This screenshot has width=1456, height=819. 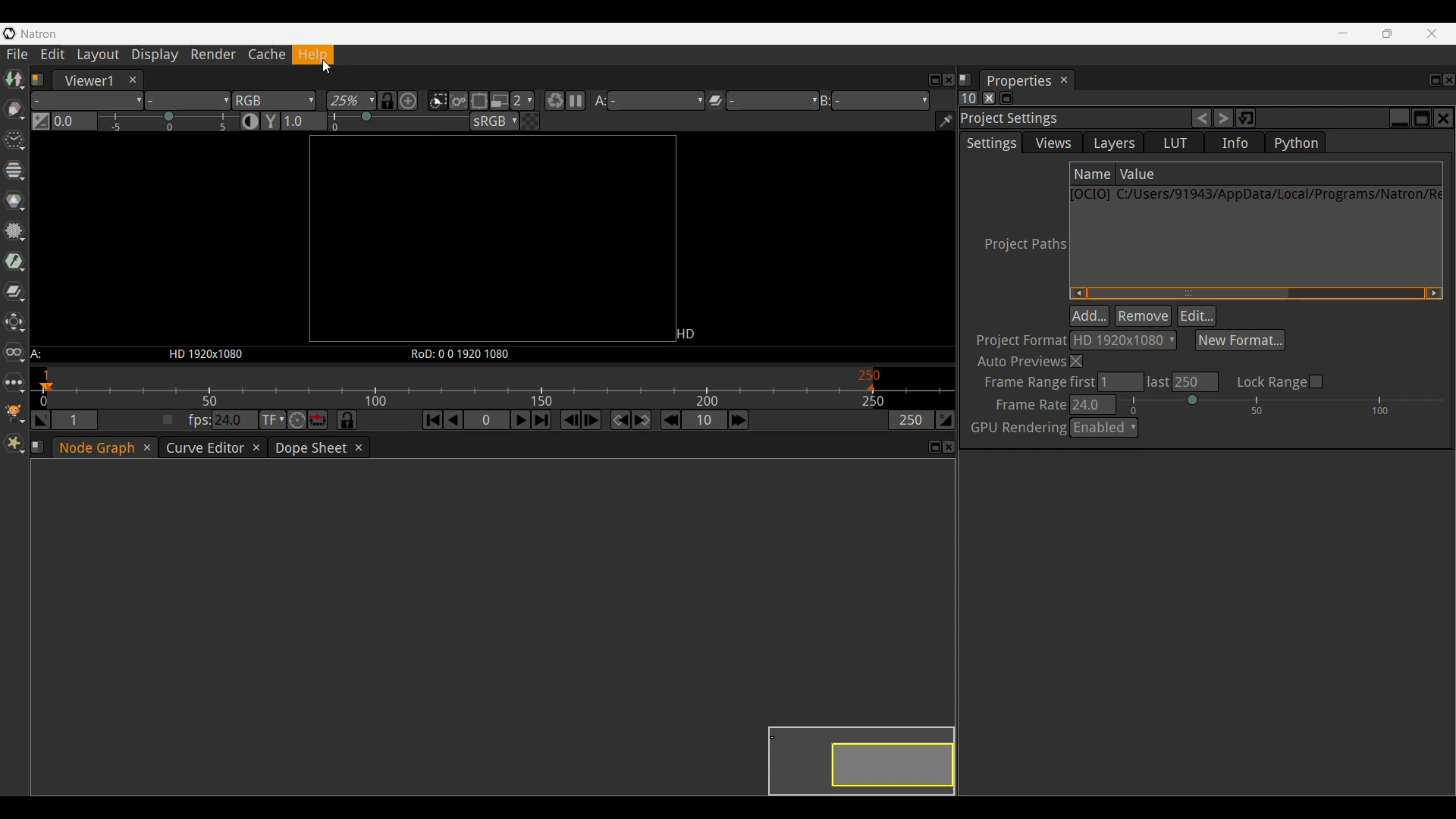 I want to click on First frame, so click(x=433, y=419).